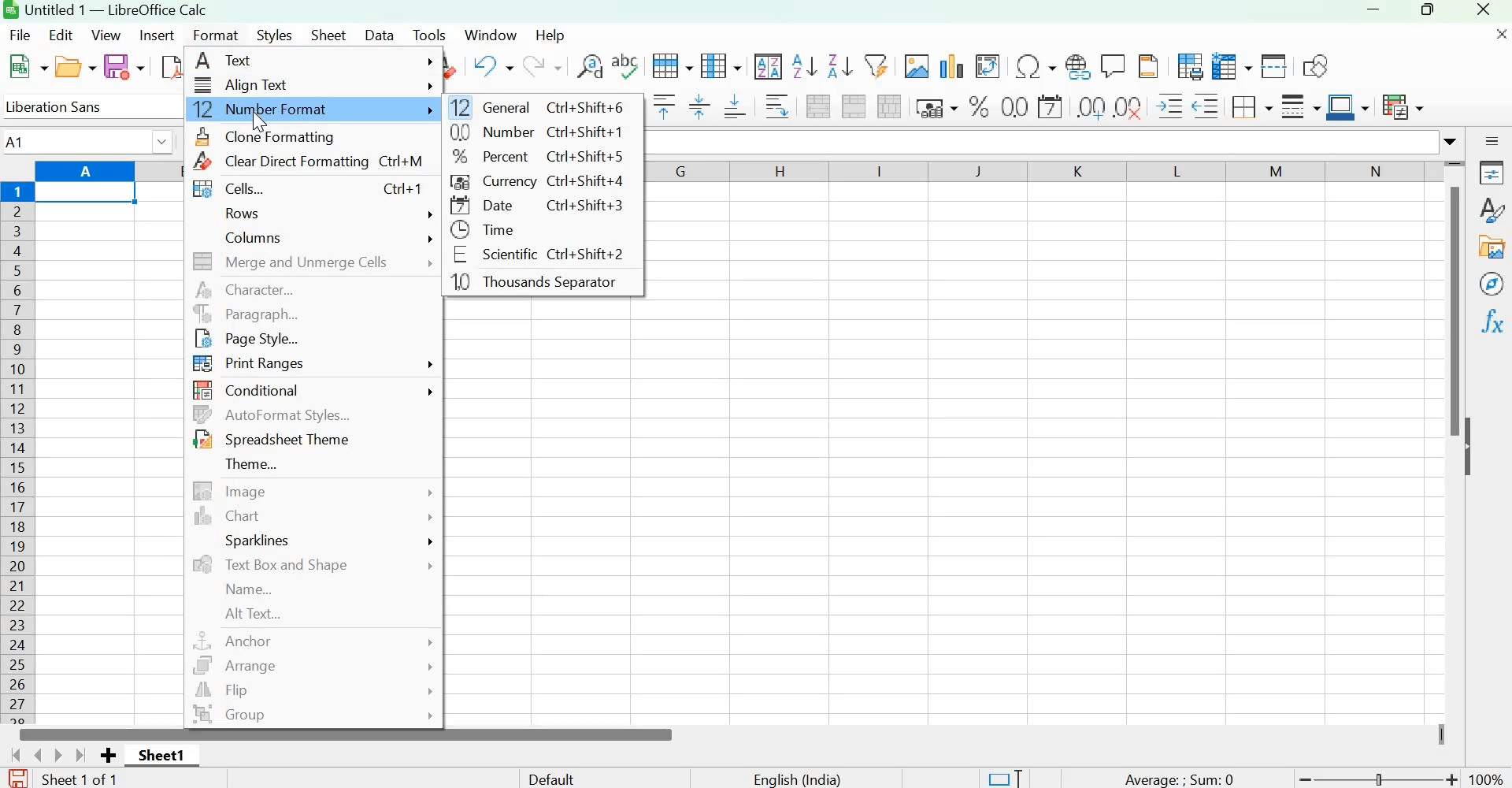  Describe the element at coordinates (91, 779) in the screenshot. I see `Sheet 1 of 1` at that location.